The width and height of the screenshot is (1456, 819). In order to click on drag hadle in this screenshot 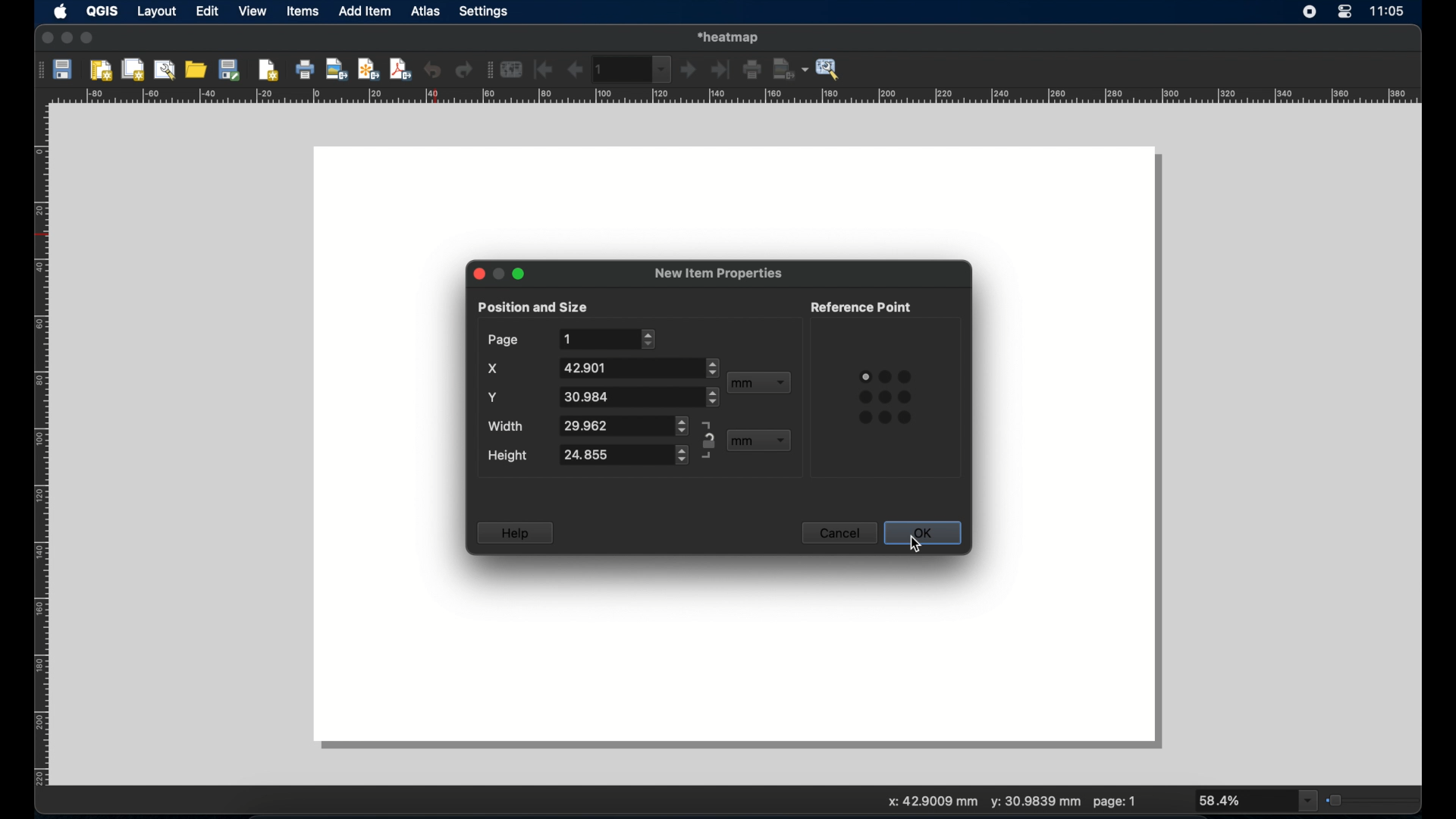, I will do `click(37, 69)`.